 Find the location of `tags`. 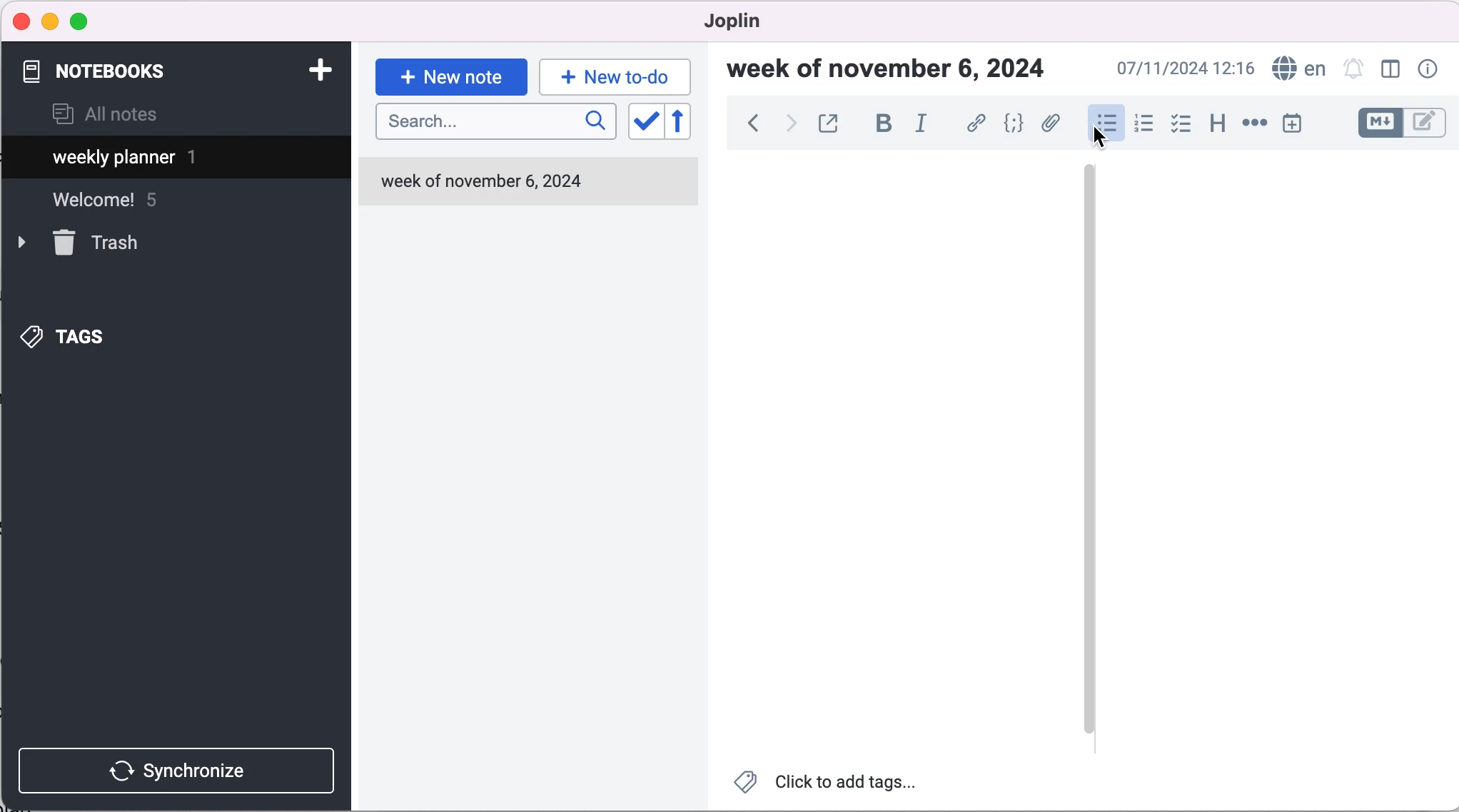

tags is located at coordinates (86, 333).